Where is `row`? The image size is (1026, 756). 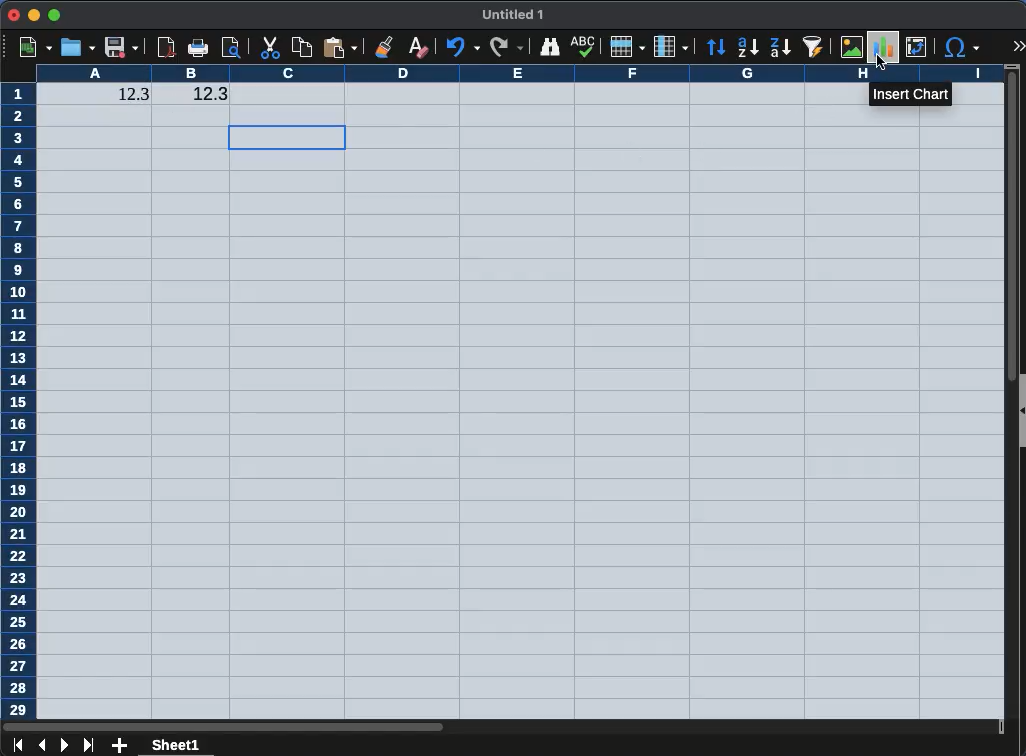
row is located at coordinates (626, 46).